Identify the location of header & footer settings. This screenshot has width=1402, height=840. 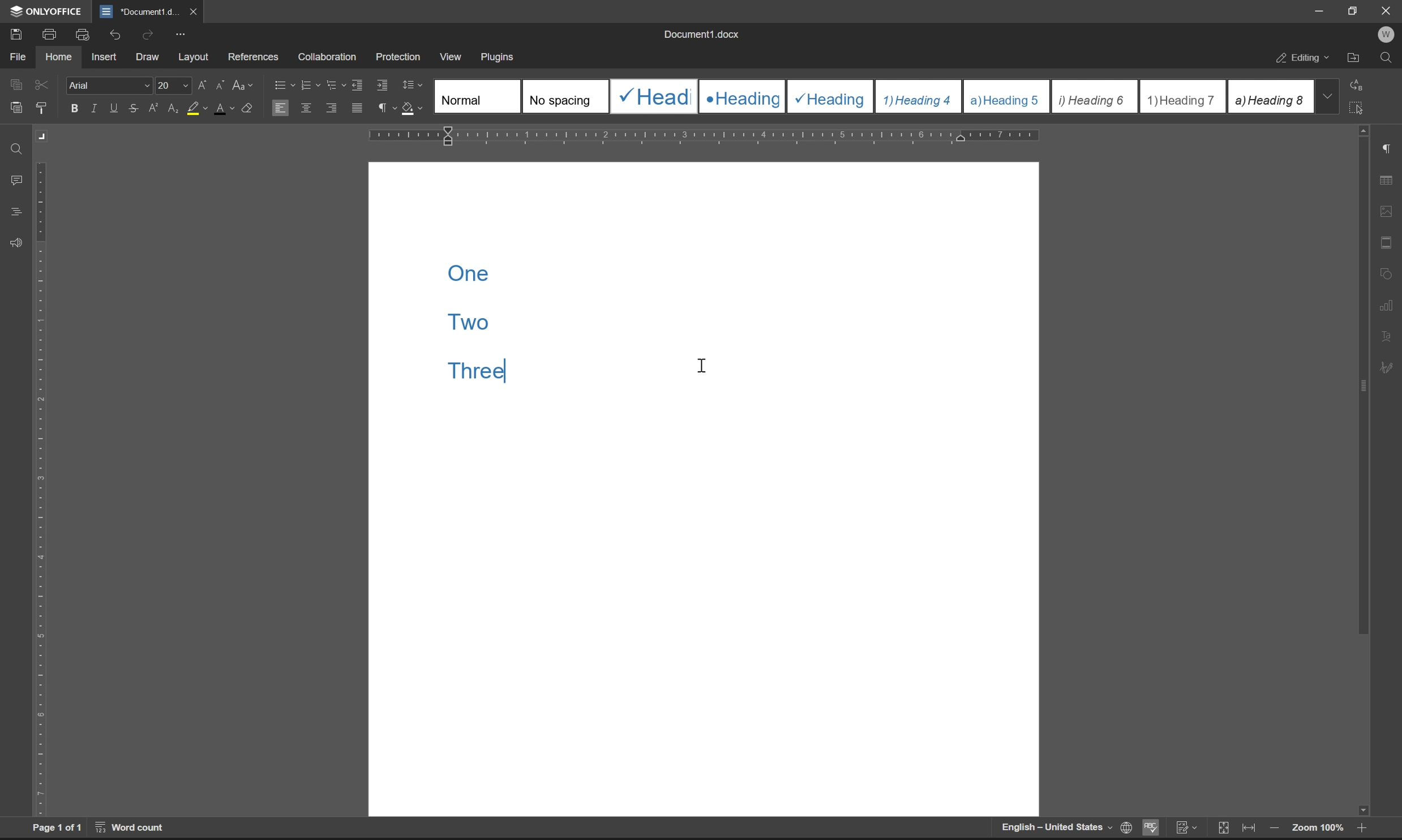
(1386, 242).